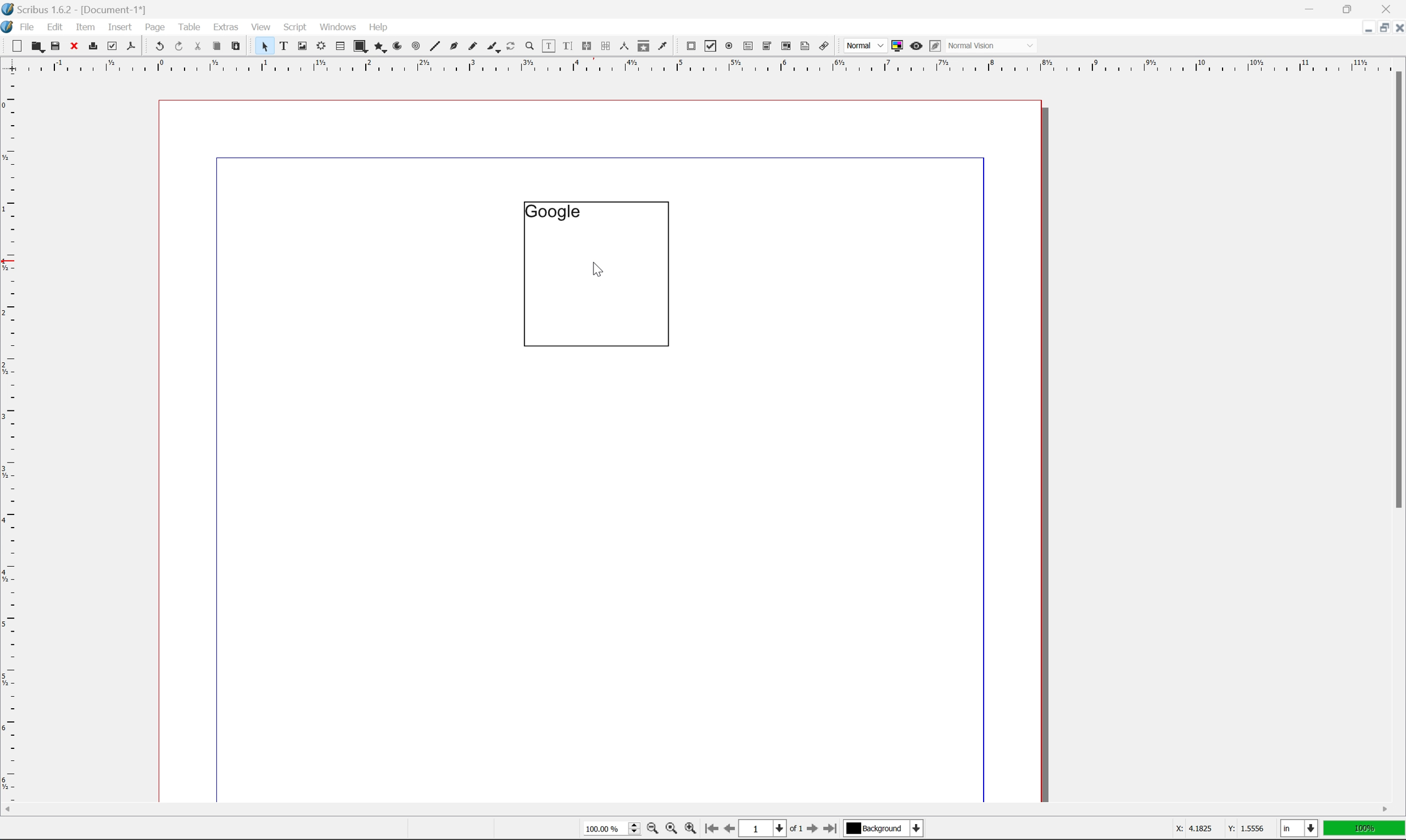 Image resolution: width=1406 pixels, height=840 pixels. Describe the element at coordinates (552, 211) in the screenshot. I see `google` at that location.